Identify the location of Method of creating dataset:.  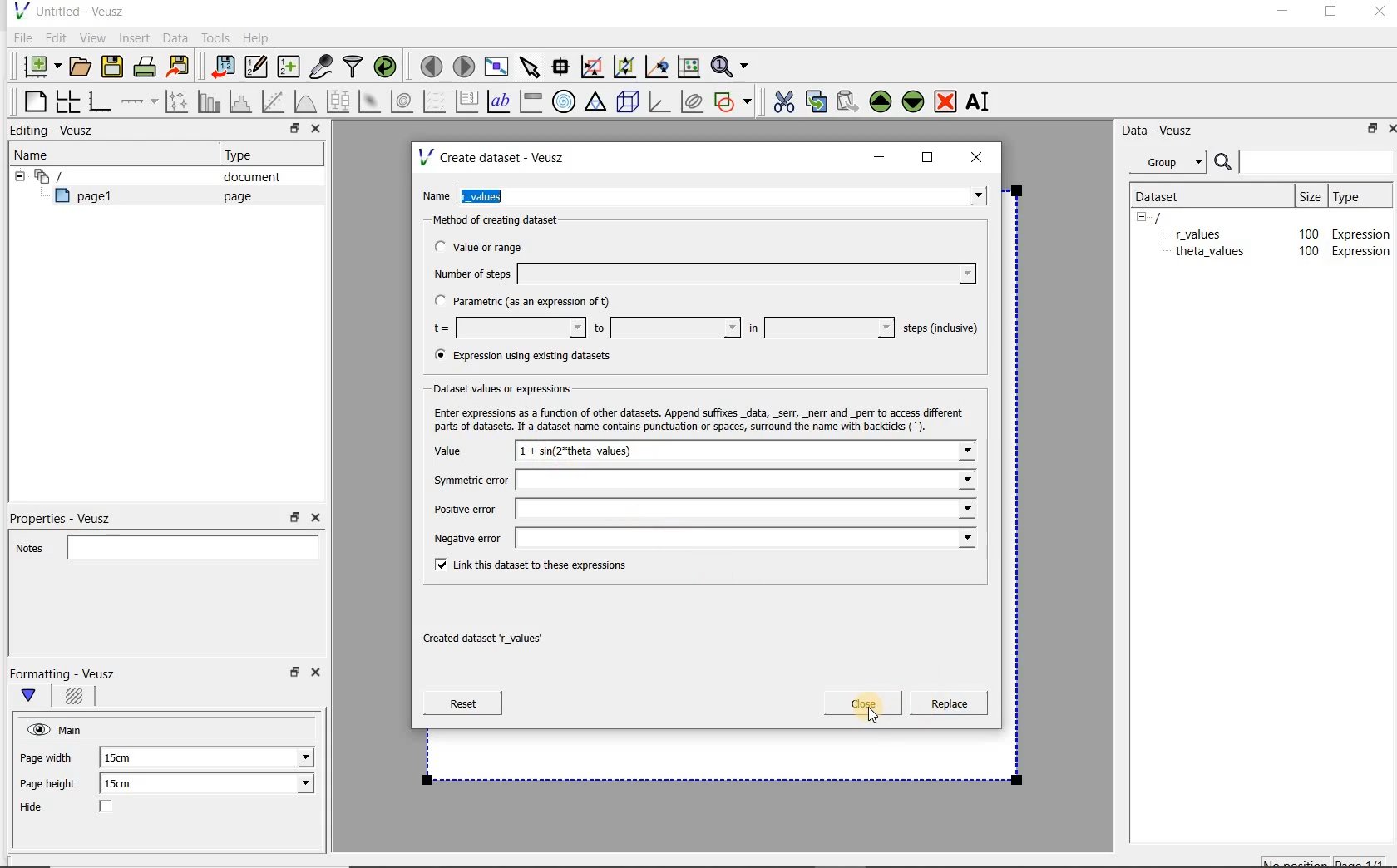
(508, 220).